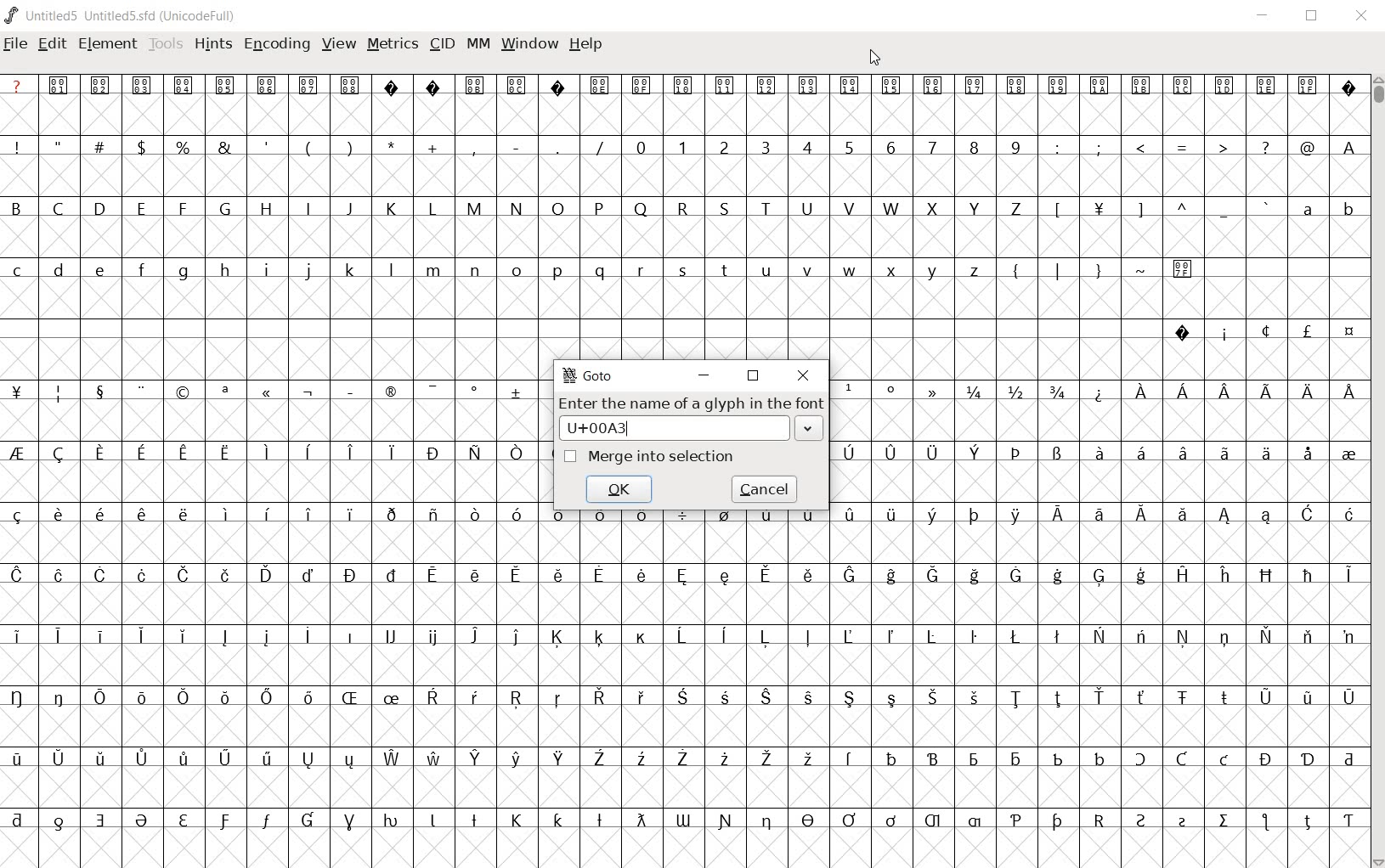  What do you see at coordinates (849, 208) in the screenshot?
I see `V` at bounding box center [849, 208].